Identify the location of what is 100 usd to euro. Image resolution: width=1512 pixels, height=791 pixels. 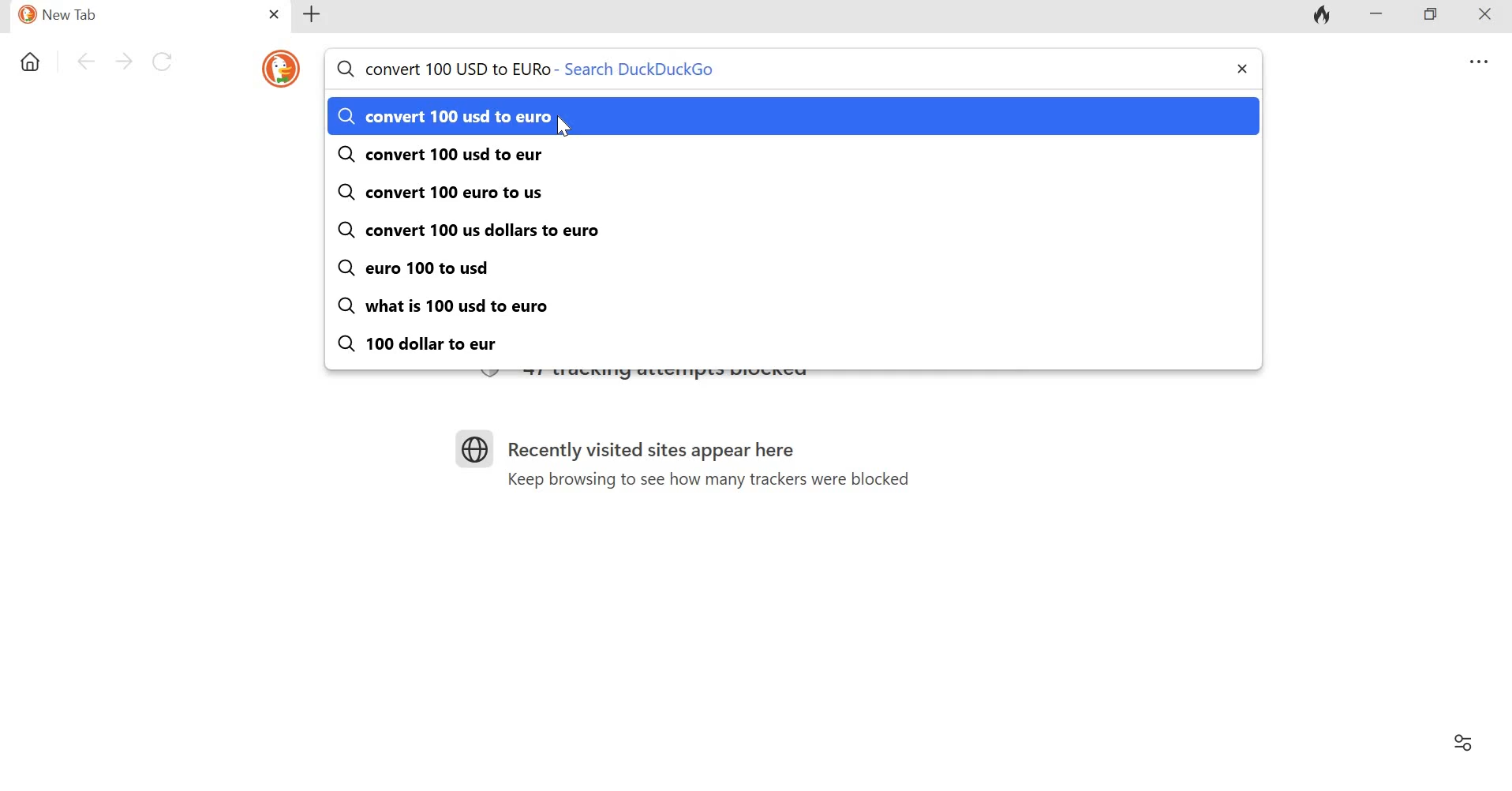
(455, 306).